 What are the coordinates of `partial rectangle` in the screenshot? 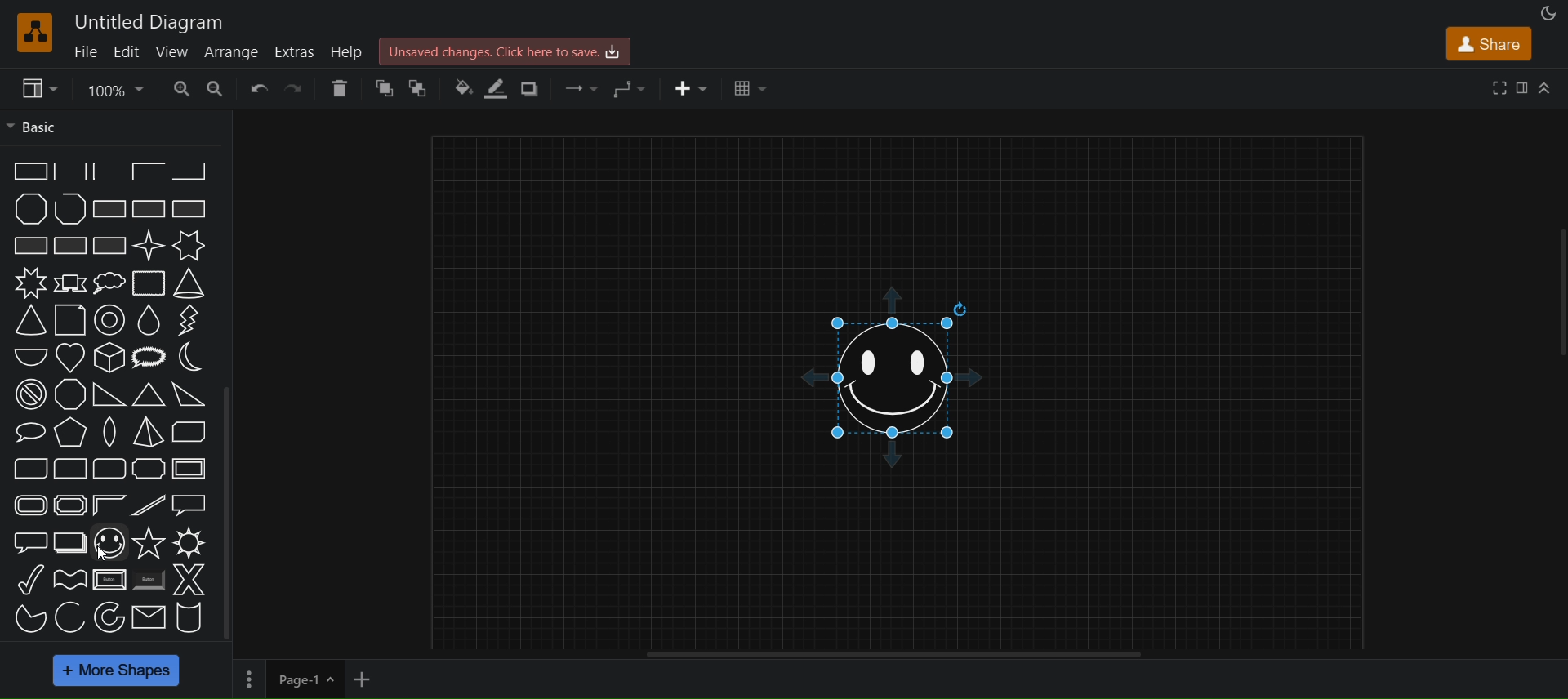 It's located at (109, 172).